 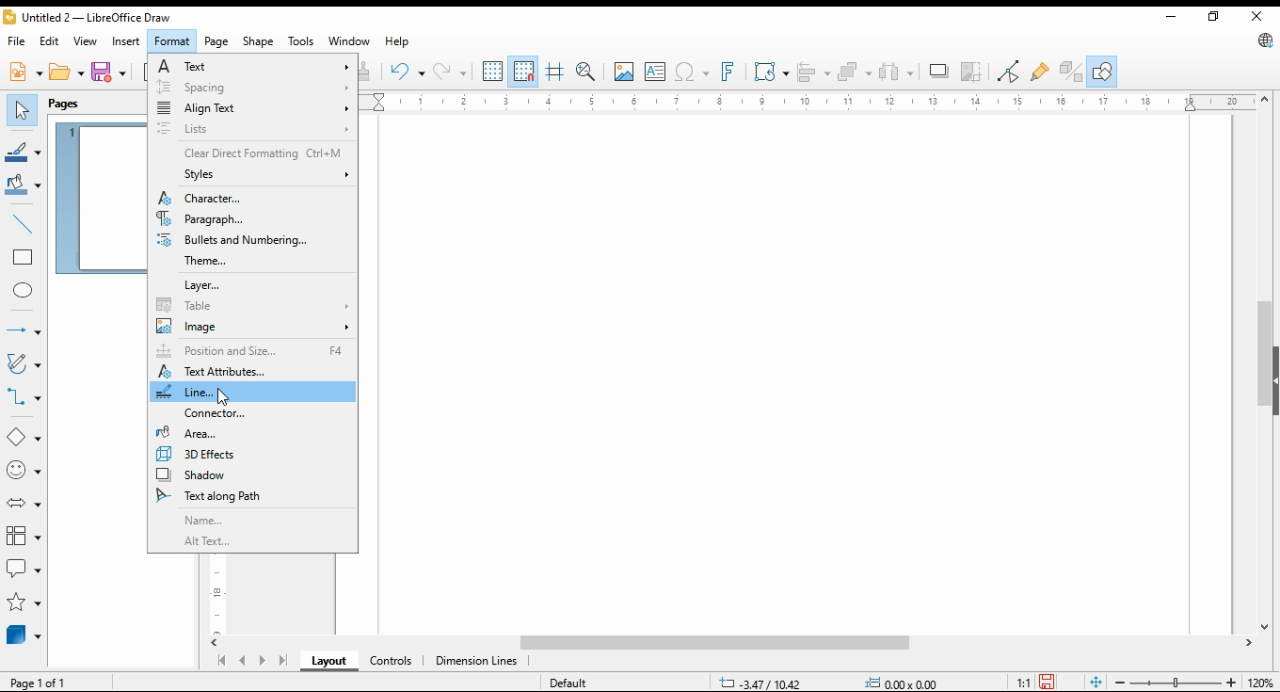 I want to click on area, so click(x=188, y=433).